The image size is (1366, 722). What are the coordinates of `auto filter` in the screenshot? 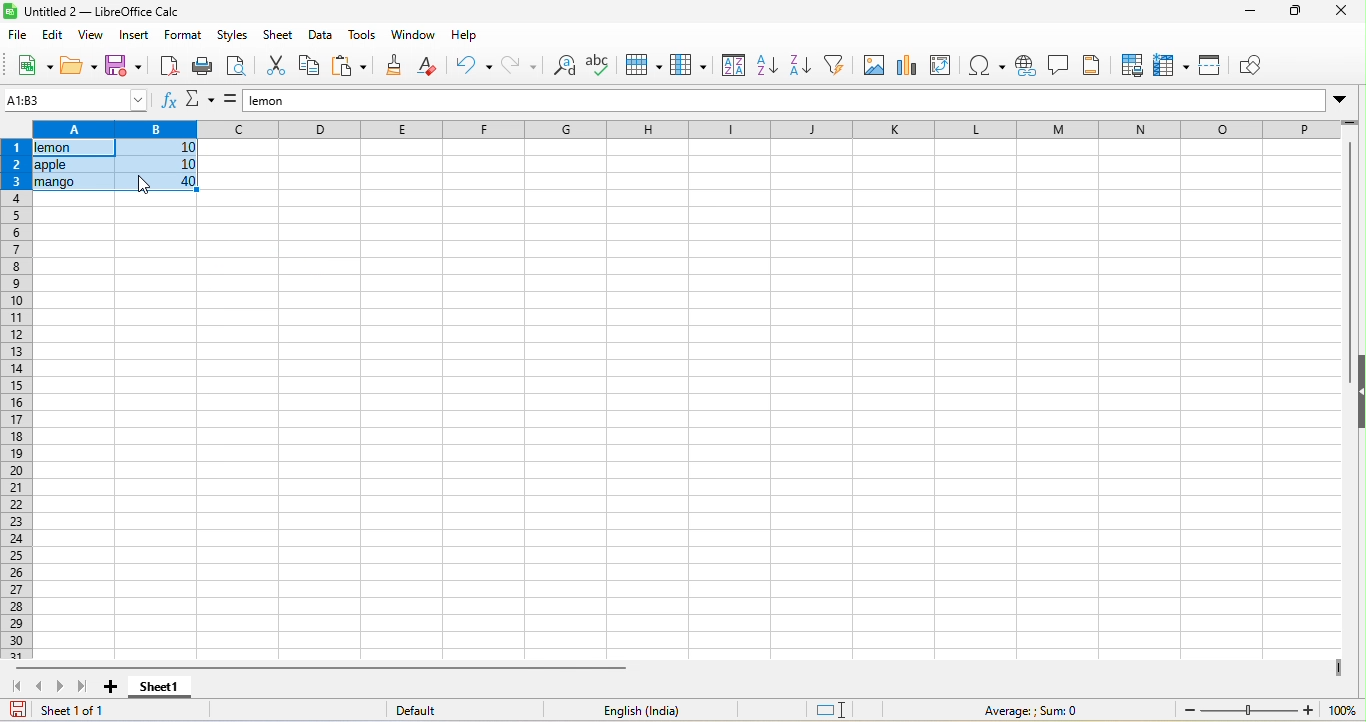 It's located at (835, 68).